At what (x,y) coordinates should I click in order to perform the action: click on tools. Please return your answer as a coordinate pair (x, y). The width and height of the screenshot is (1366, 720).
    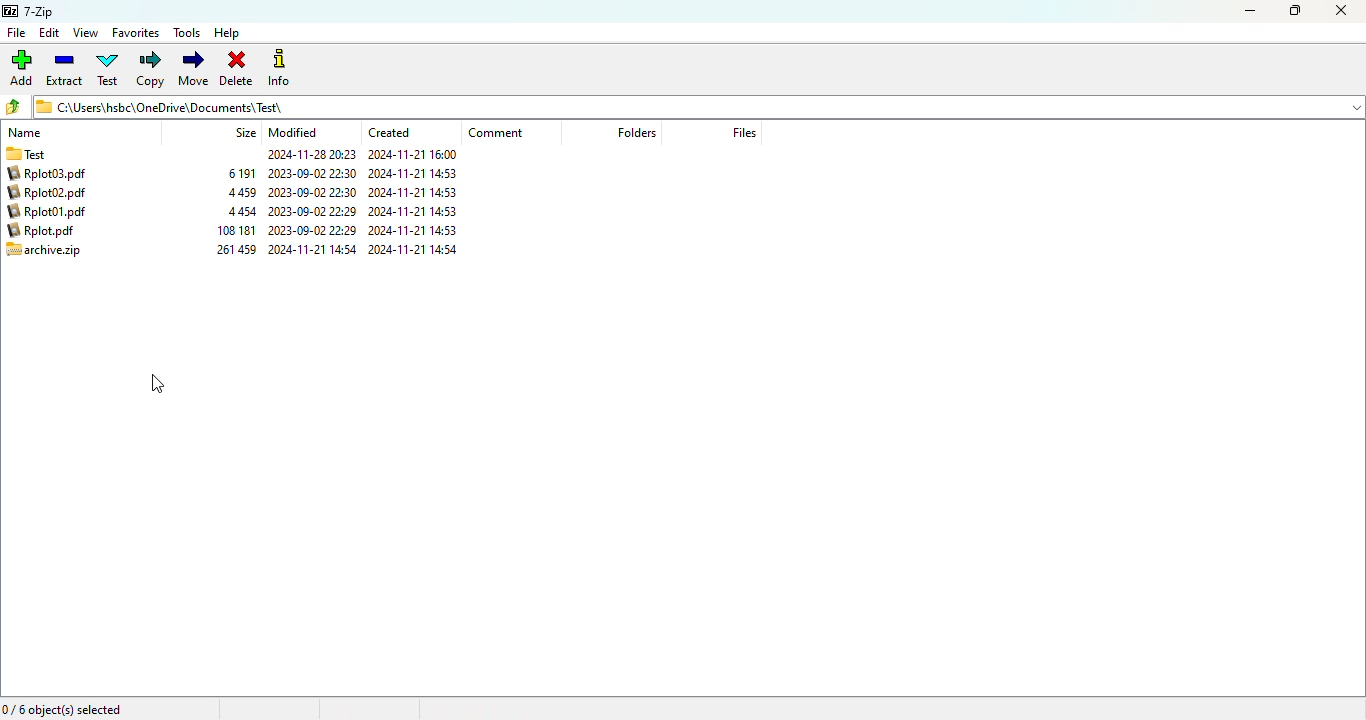
    Looking at the image, I should click on (187, 33).